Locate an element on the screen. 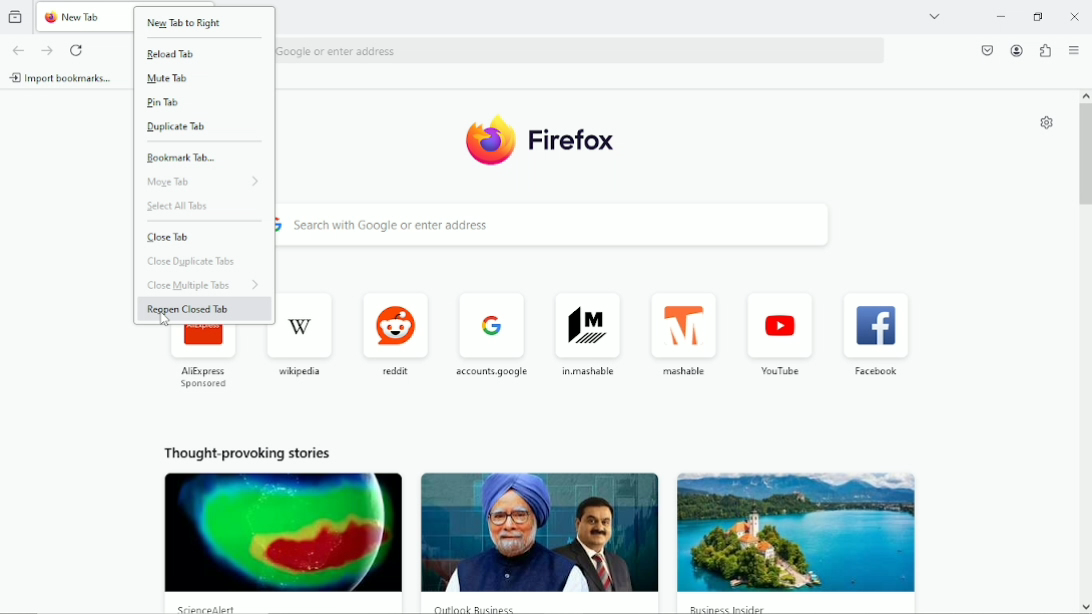 Image resolution: width=1092 pixels, height=614 pixels. go forward is located at coordinates (46, 51).